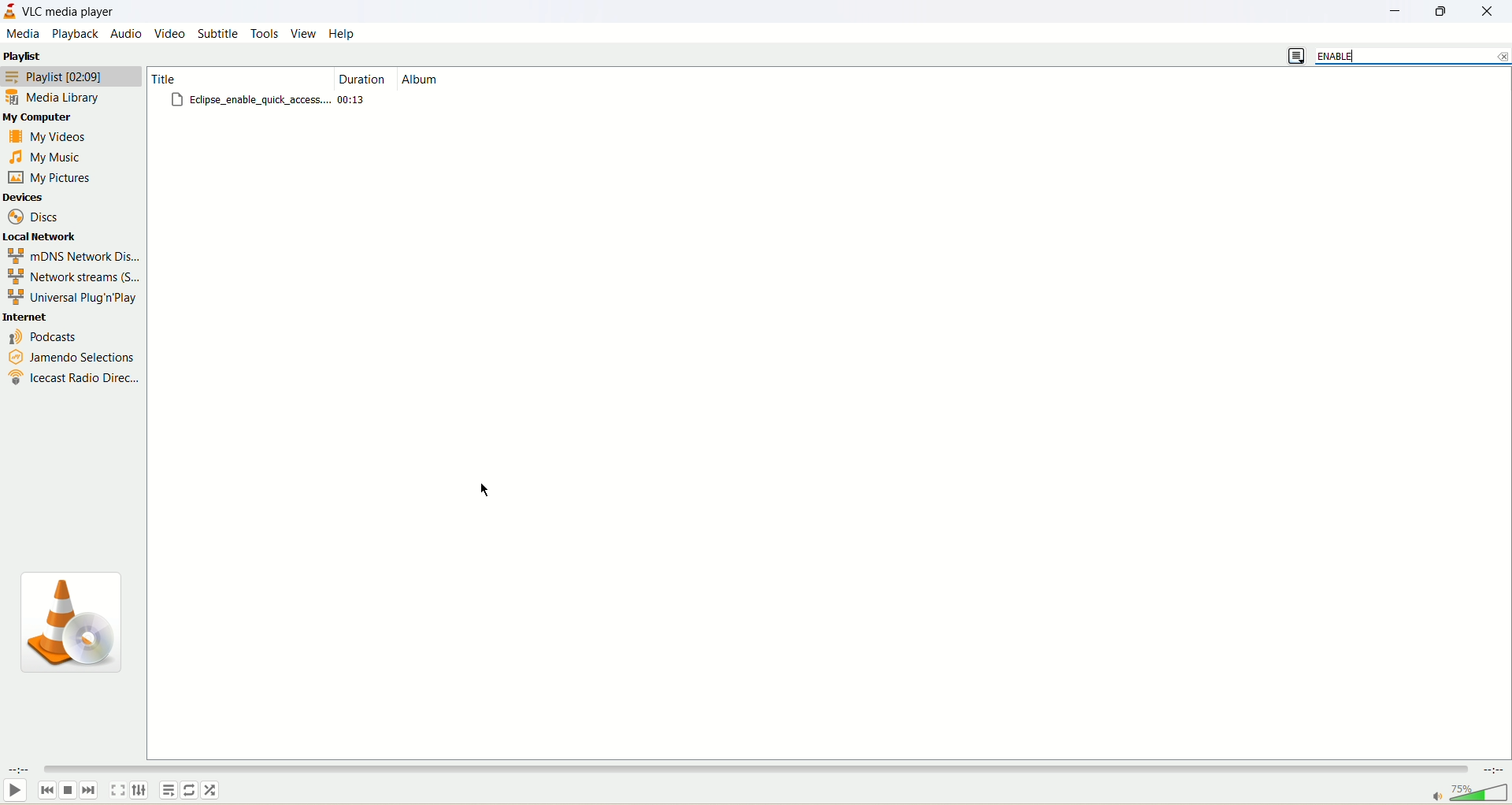 Image resolution: width=1512 pixels, height=805 pixels. I want to click on toggle fullscreen, so click(119, 792).